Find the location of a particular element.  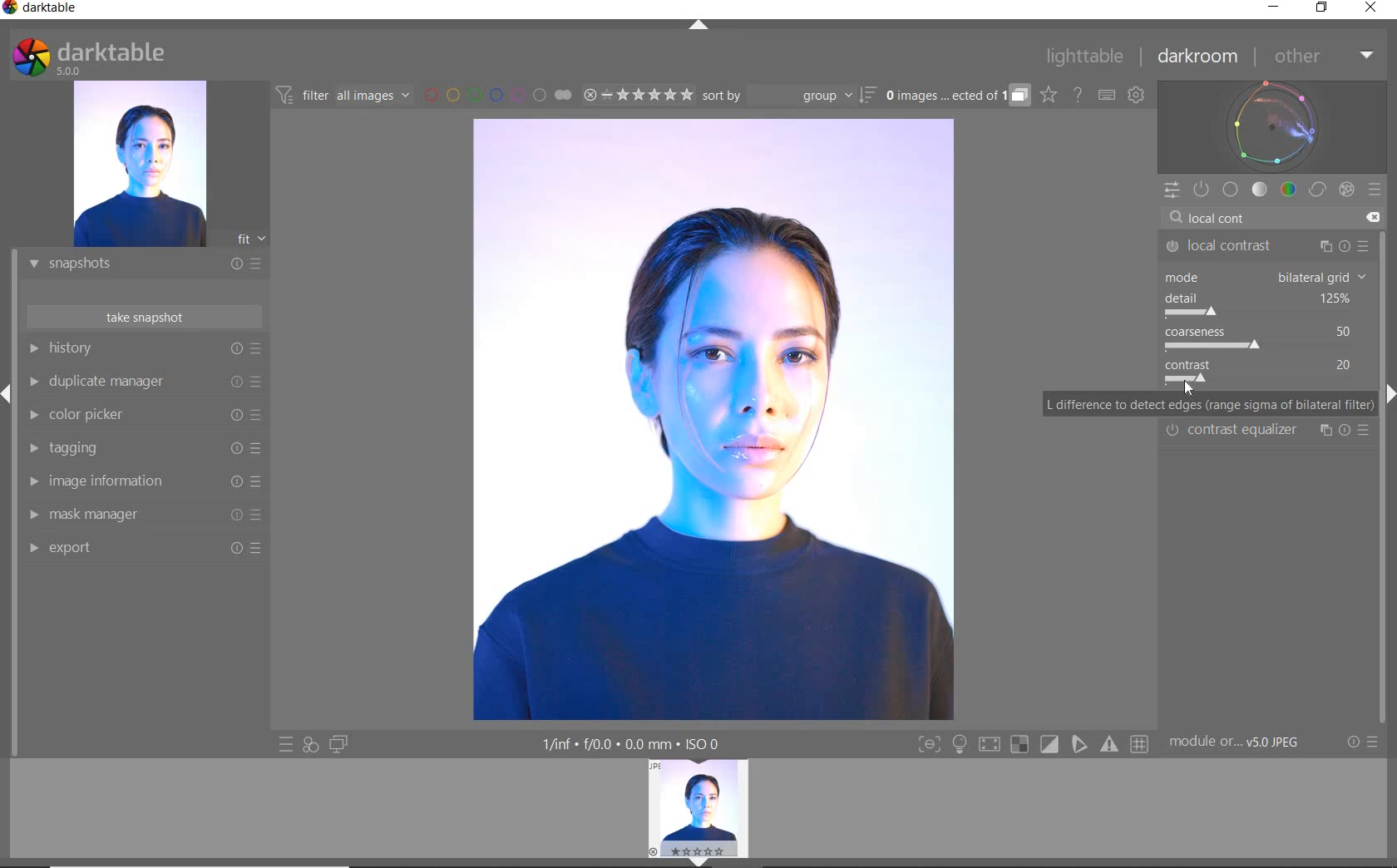

Button is located at coordinates (1019, 745).